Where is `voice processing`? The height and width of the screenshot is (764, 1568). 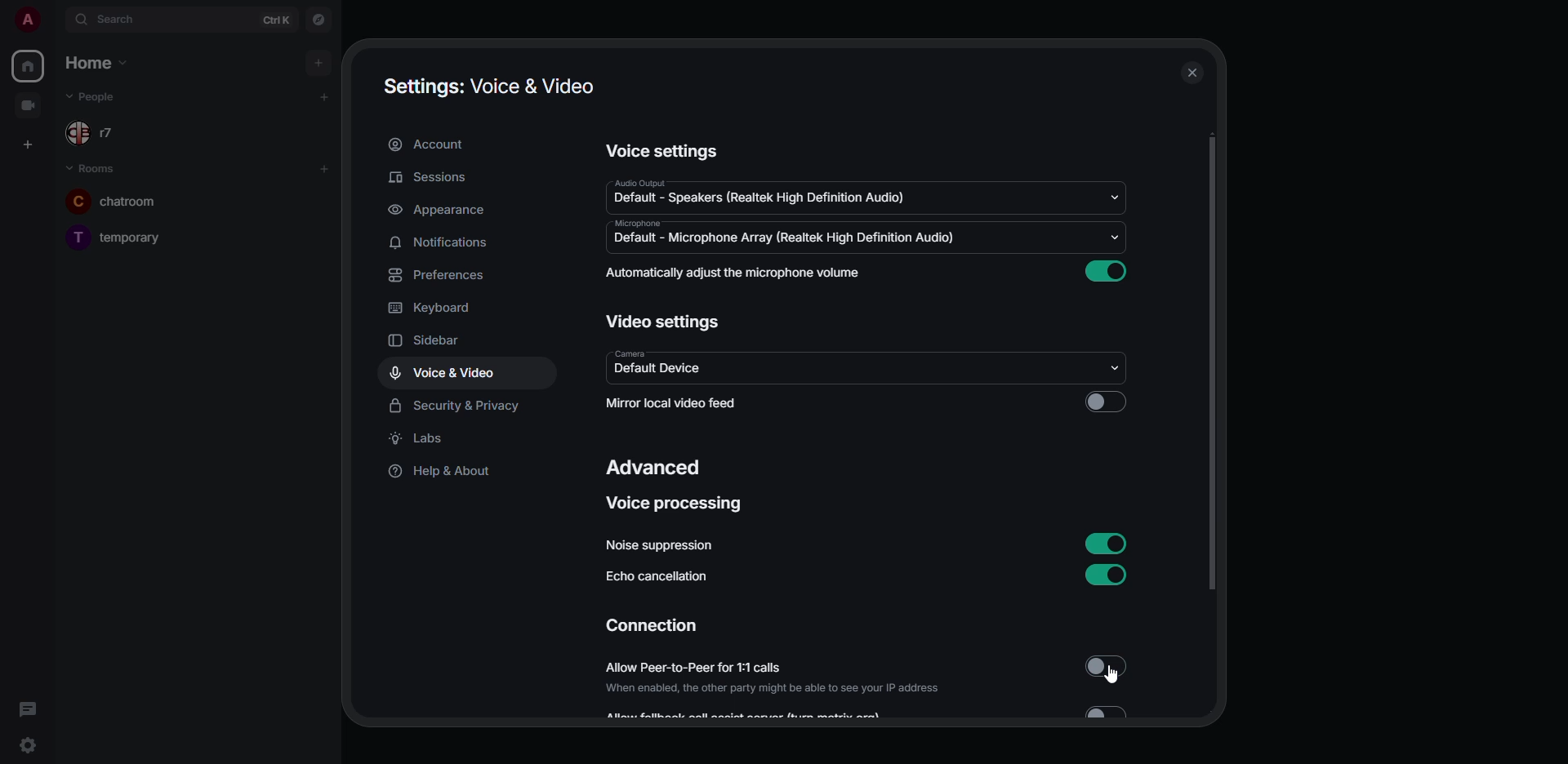 voice processing is located at coordinates (669, 504).